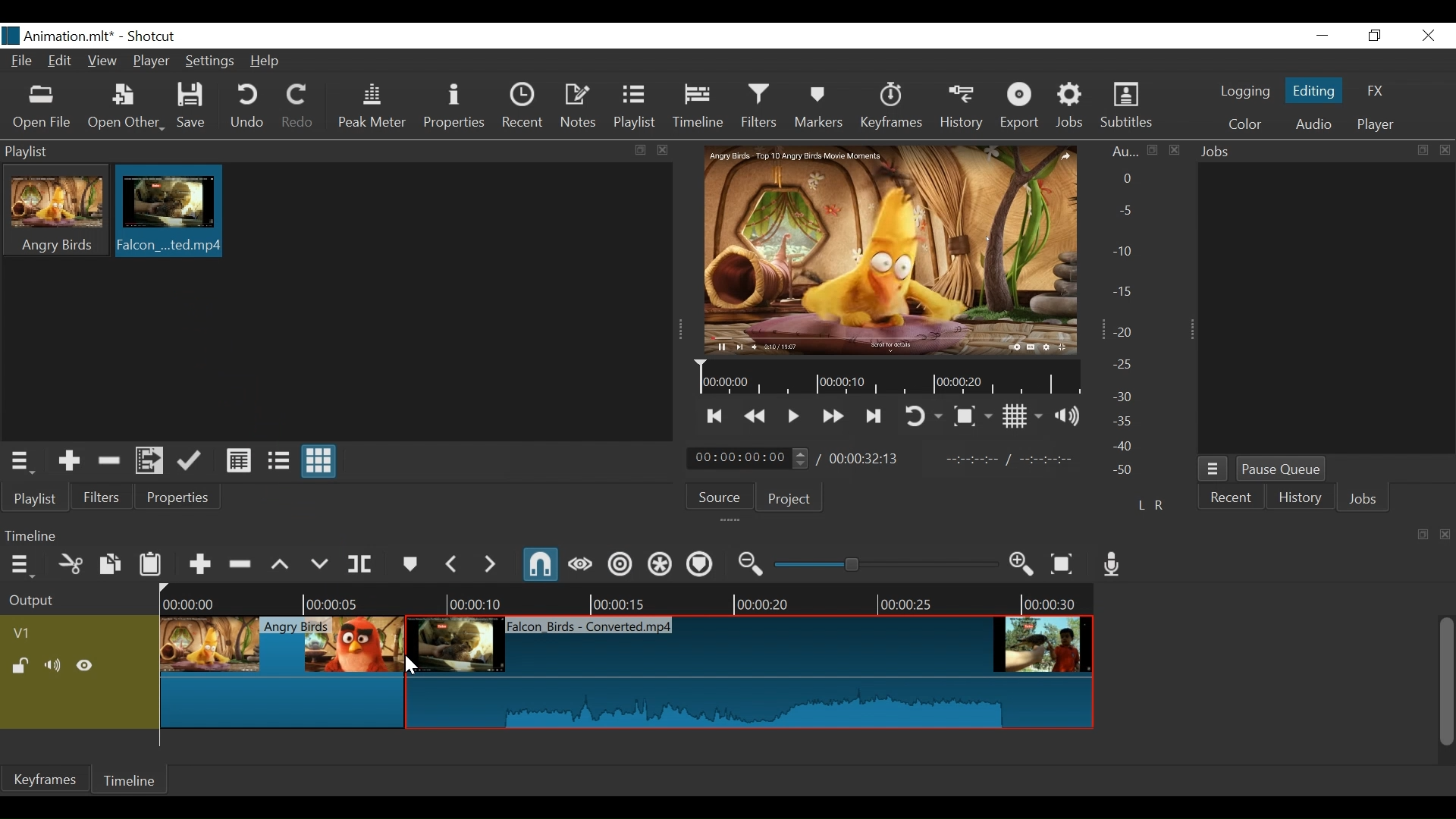  I want to click on Append, so click(199, 562).